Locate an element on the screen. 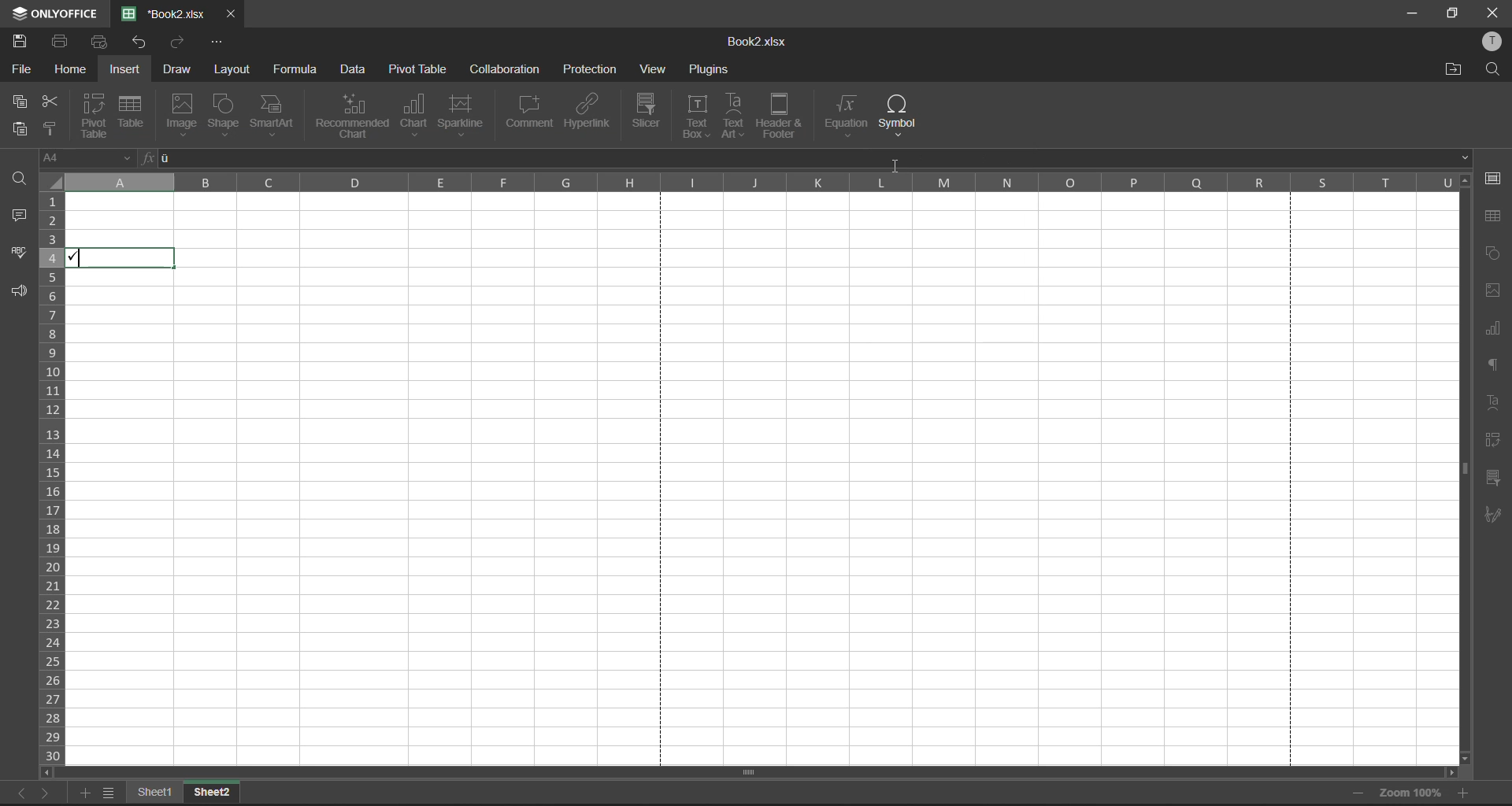 The width and height of the screenshot is (1512, 806). ONLYOFFICE is located at coordinates (70, 14).